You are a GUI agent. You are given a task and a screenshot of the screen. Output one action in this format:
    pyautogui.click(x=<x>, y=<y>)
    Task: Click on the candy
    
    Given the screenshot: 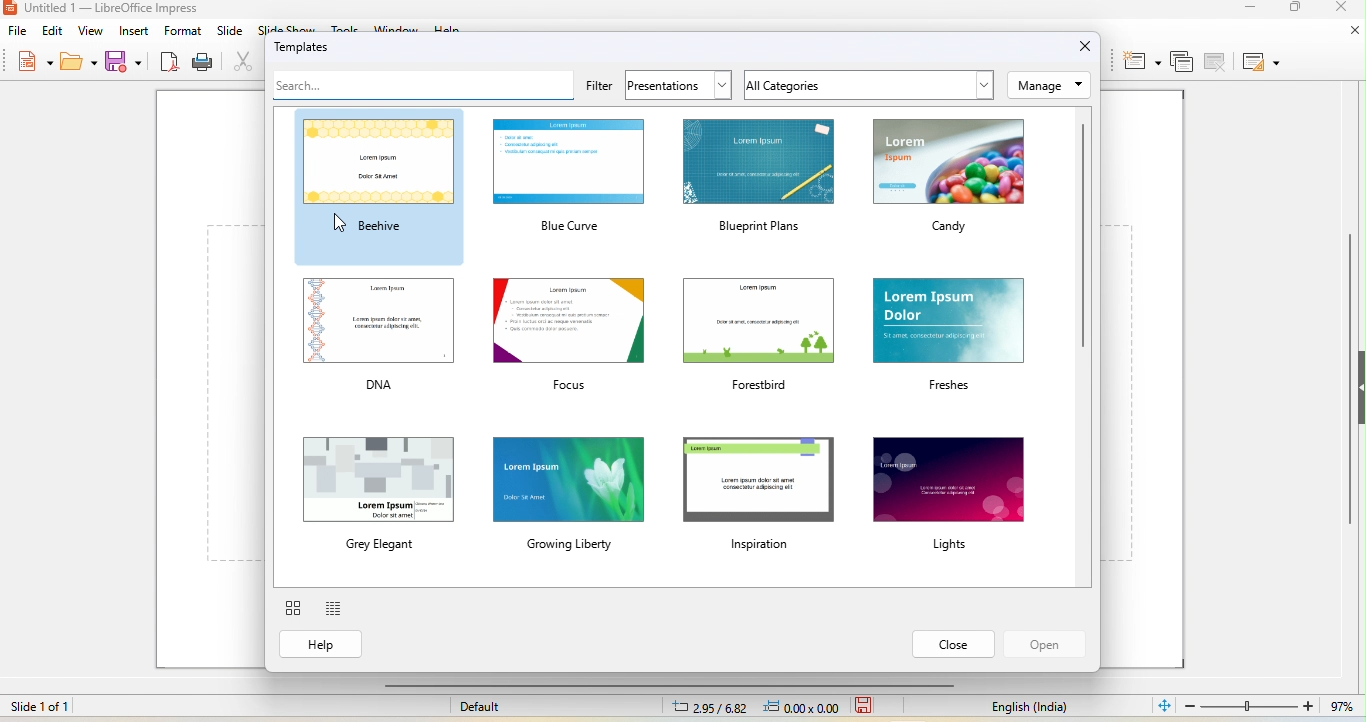 What is the action you would take?
    pyautogui.click(x=949, y=178)
    